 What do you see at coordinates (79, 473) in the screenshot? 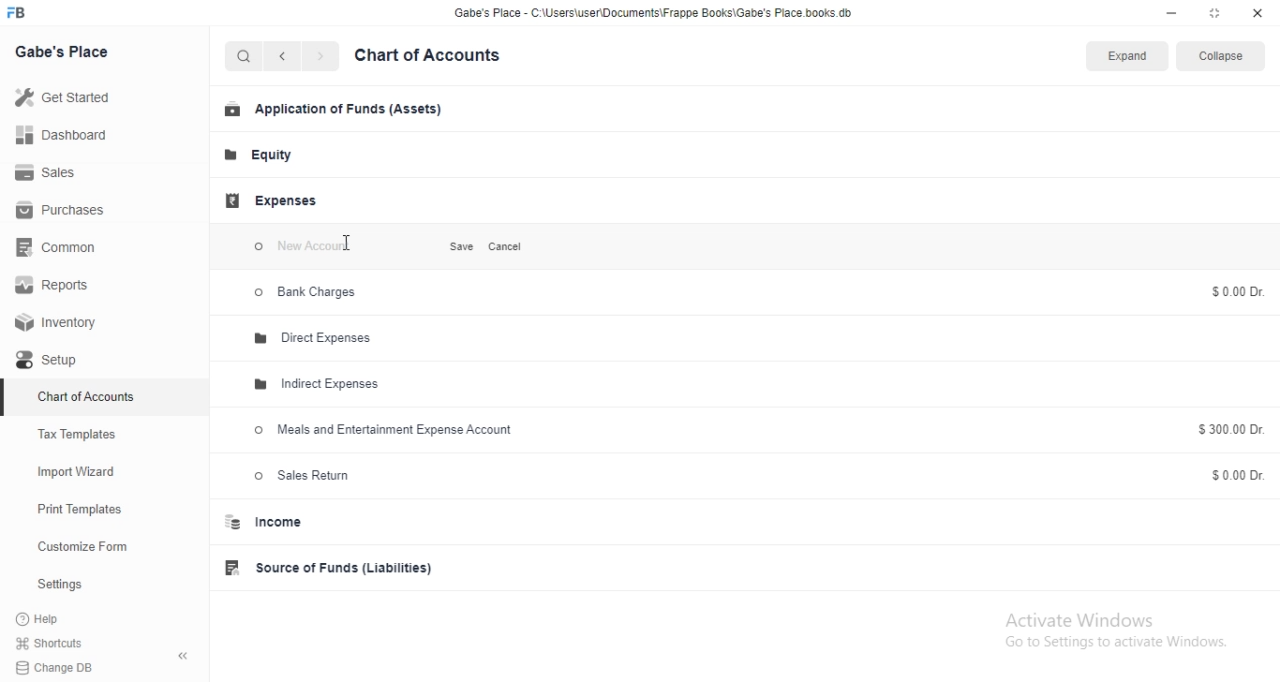
I see `Import Wizard` at bounding box center [79, 473].